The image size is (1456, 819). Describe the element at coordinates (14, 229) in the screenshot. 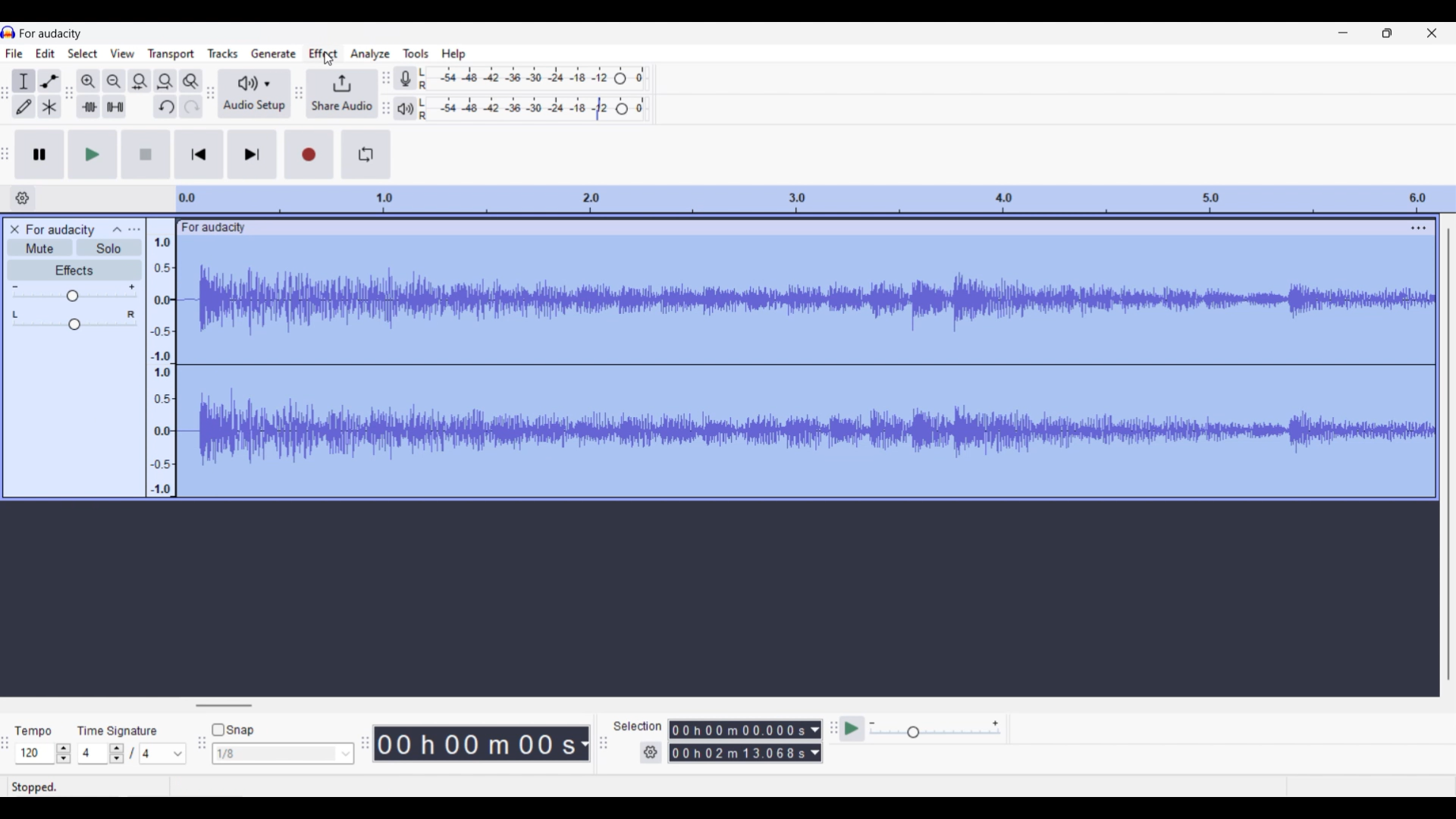

I see `Close track` at that location.